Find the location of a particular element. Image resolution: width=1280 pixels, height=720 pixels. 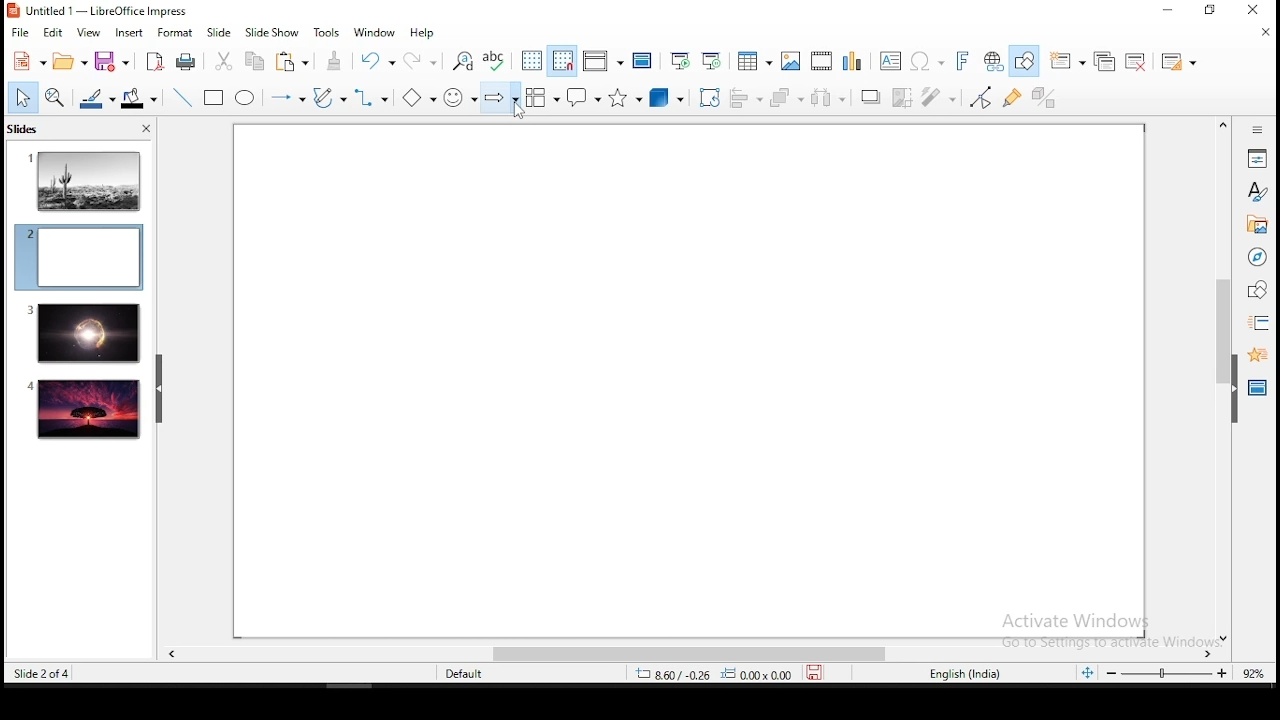

save is located at coordinates (110, 61).